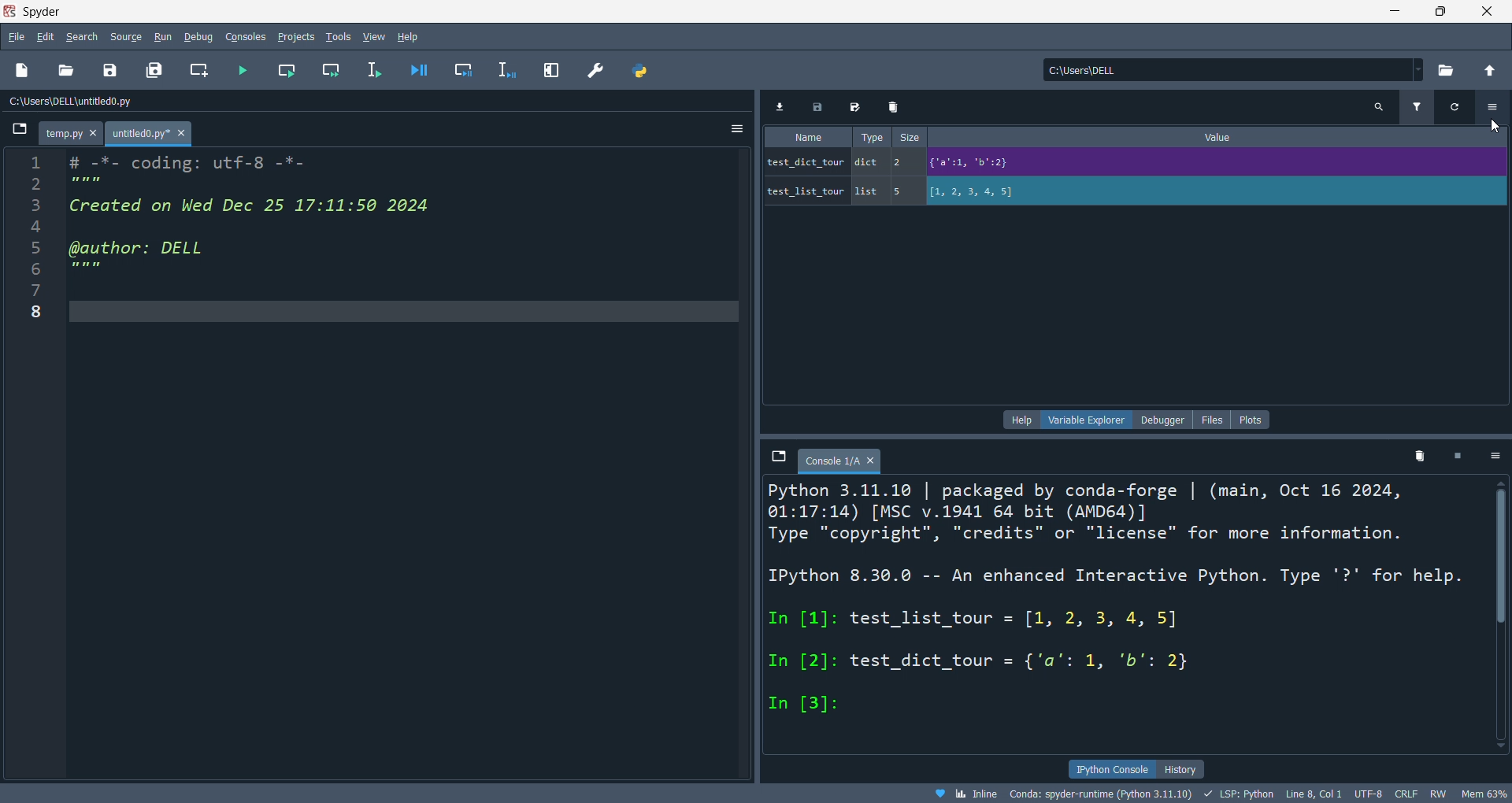 The height and width of the screenshot is (803, 1512). What do you see at coordinates (240, 68) in the screenshot?
I see `run file` at bounding box center [240, 68].